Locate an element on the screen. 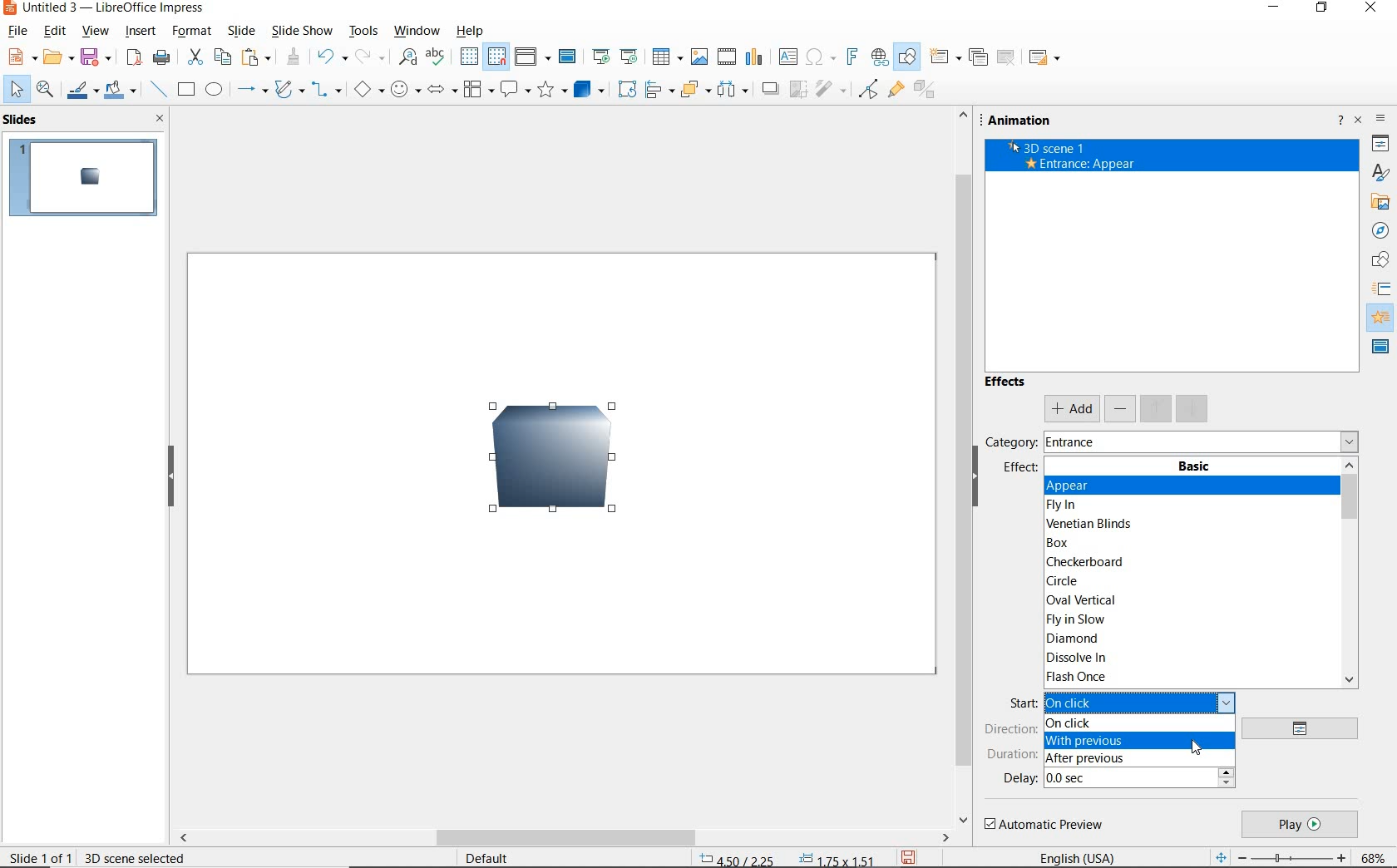  insert hyperlink is located at coordinates (877, 57).